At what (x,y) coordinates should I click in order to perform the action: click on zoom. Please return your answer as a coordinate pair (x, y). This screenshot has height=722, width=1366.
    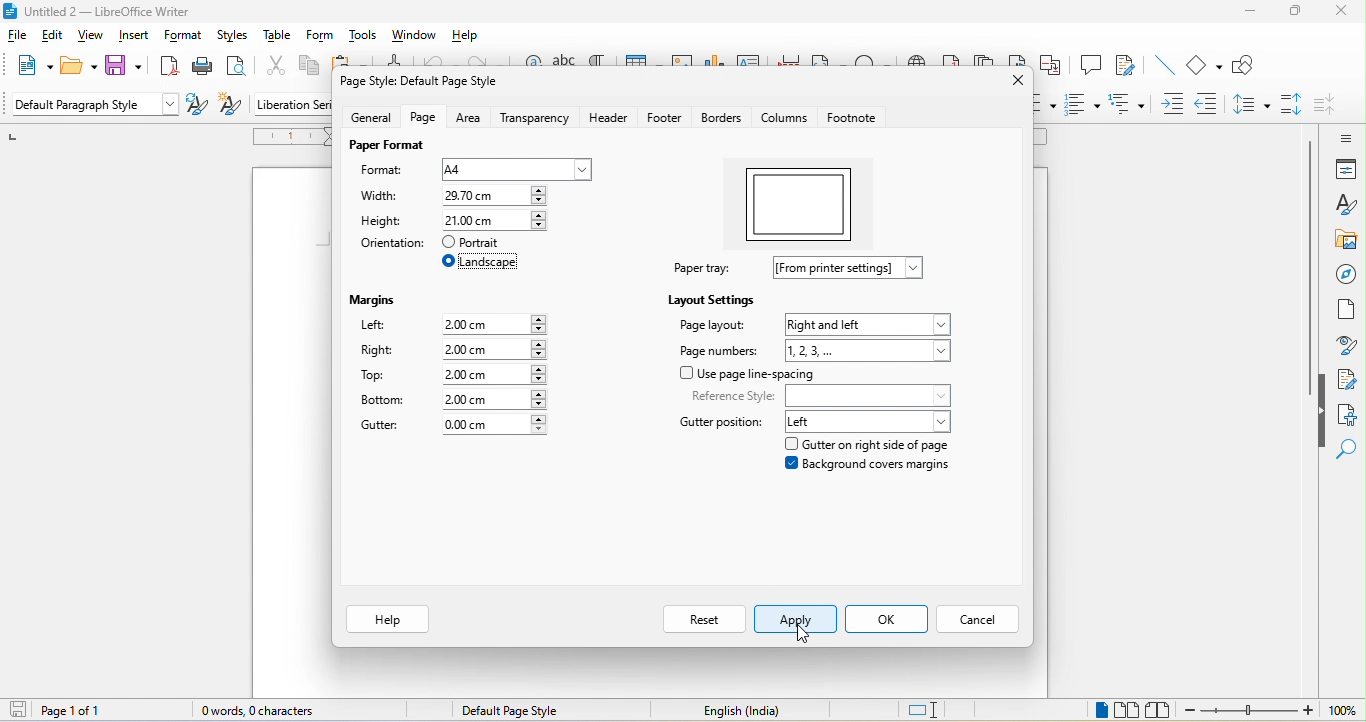
    Looking at the image, I should click on (1271, 711).